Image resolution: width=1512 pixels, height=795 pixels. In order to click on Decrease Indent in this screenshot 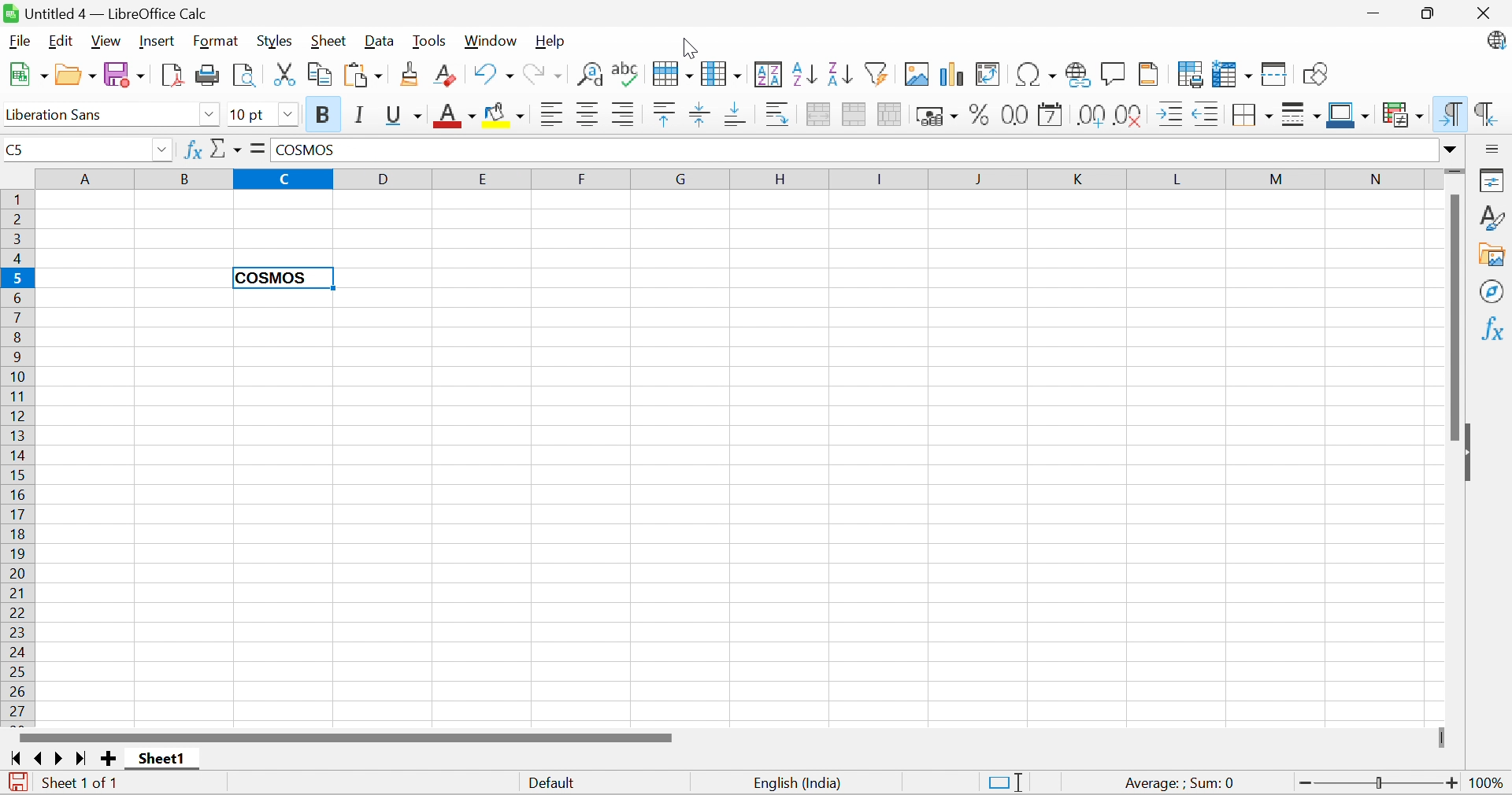, I will do `click(1206, 115)`.